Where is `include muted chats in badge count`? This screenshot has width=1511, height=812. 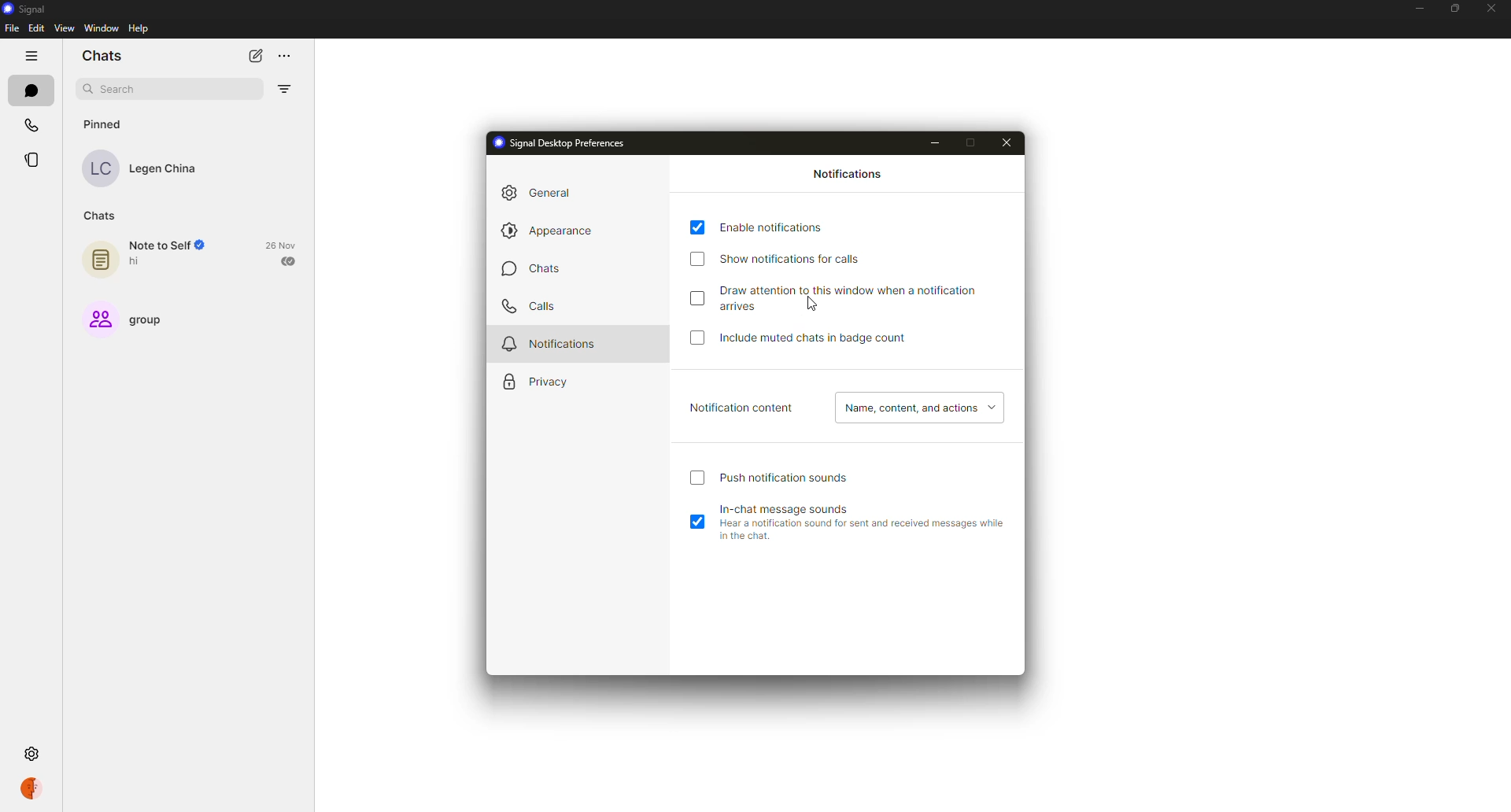 include muted chats in badge count is located at coordinates (820, 339).